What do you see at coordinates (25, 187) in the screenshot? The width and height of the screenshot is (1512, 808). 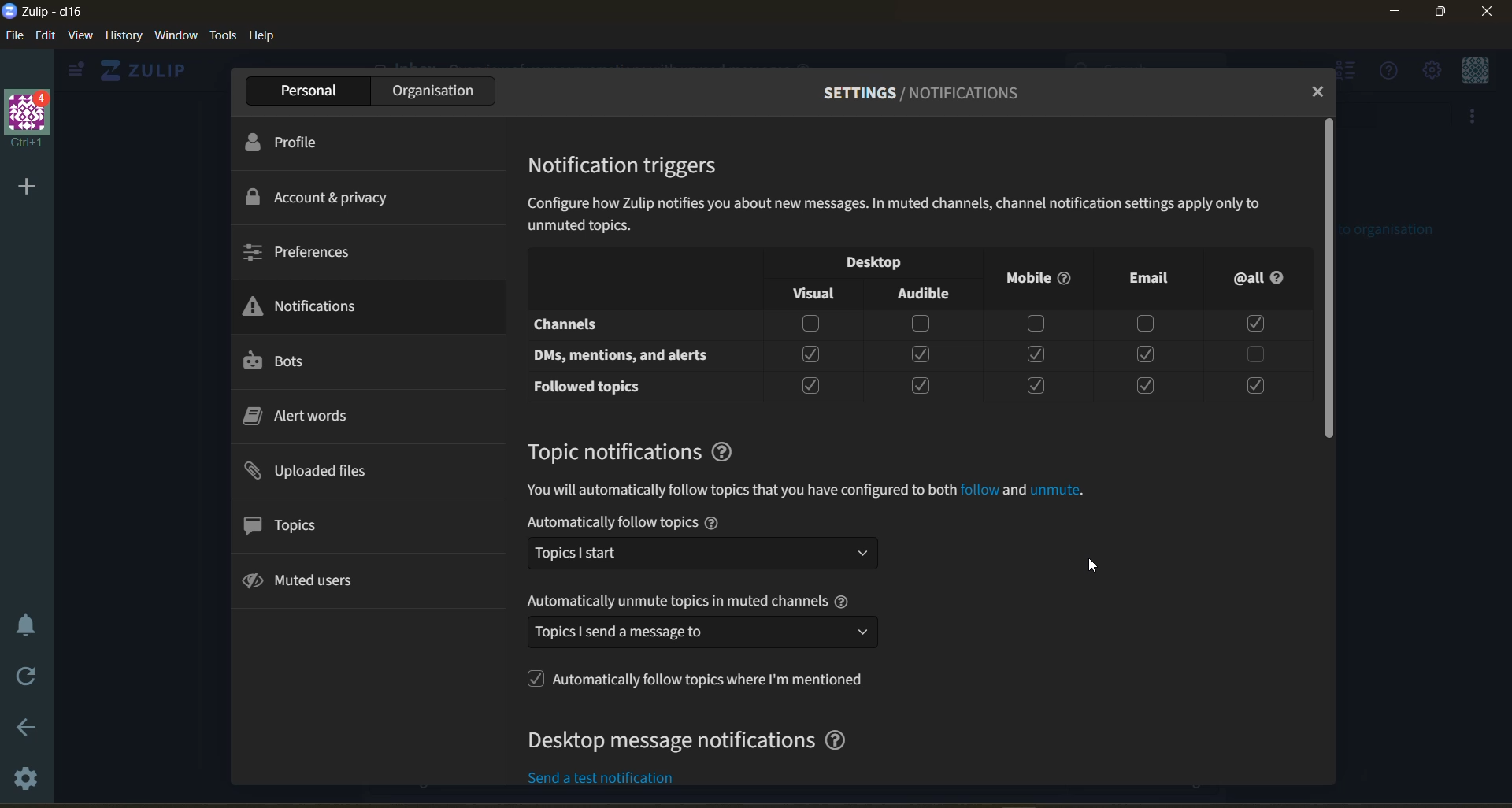 I see `add a new organisation` at bounding box center [25, 187].